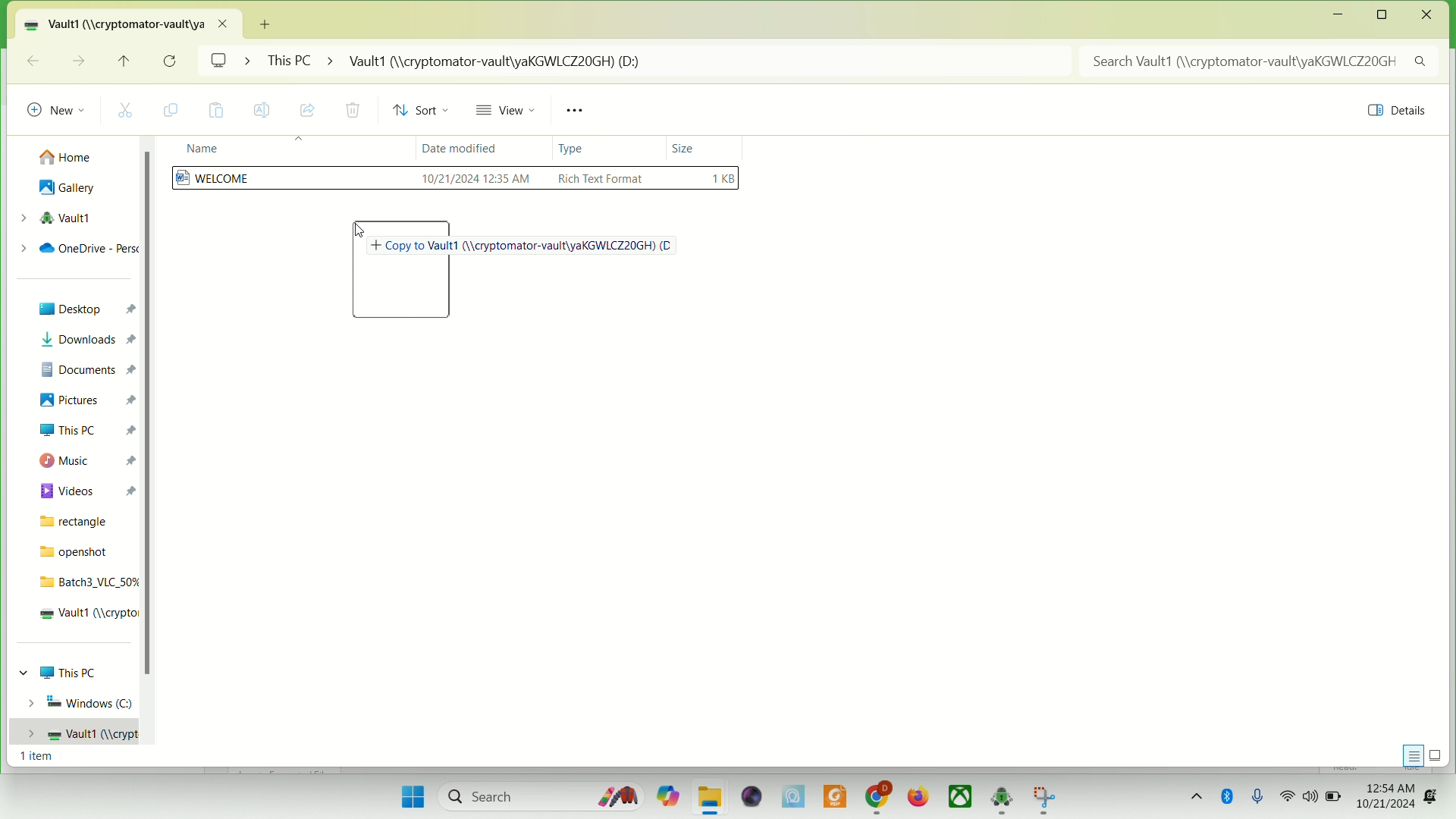 This screenshot has height=819, width=1456. I want to click on delete, so click(352, 111).